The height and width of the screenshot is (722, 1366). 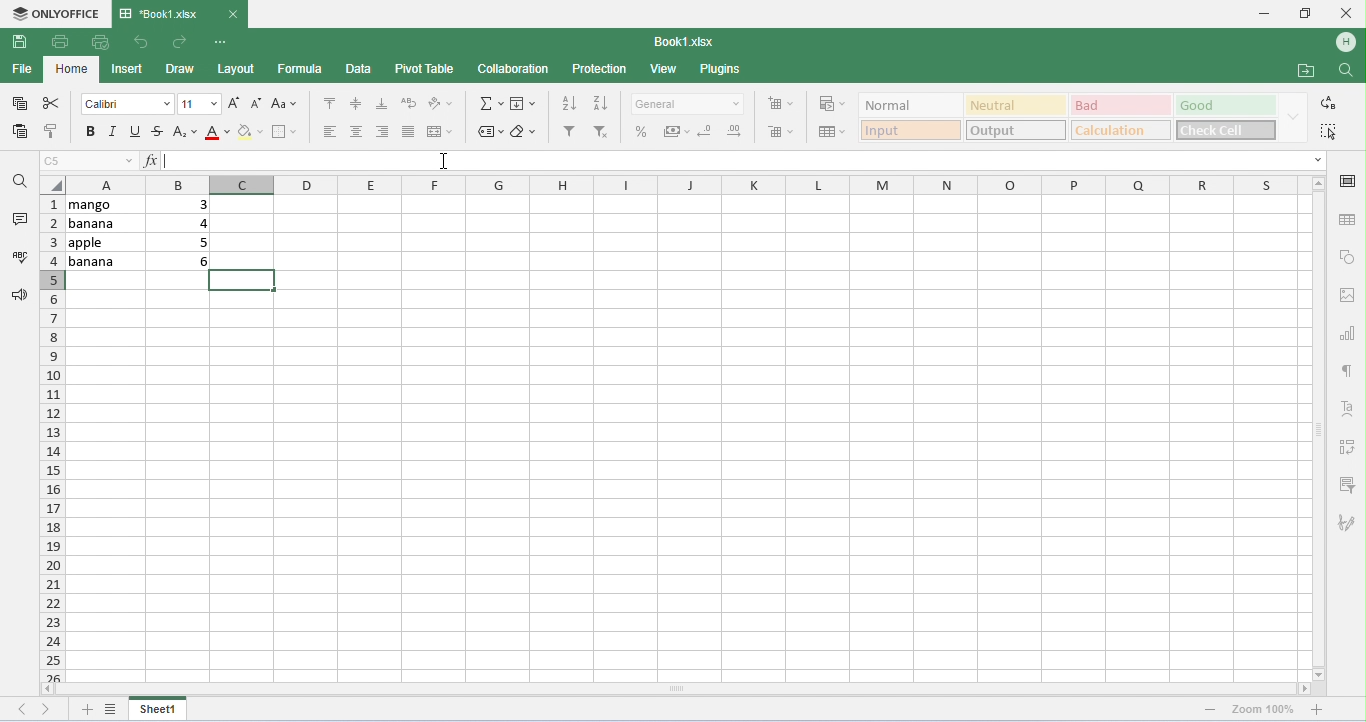 What do you see at coordinates (23, 218) in the screenshot?
I see `comments` at bounding box center [23, 218].